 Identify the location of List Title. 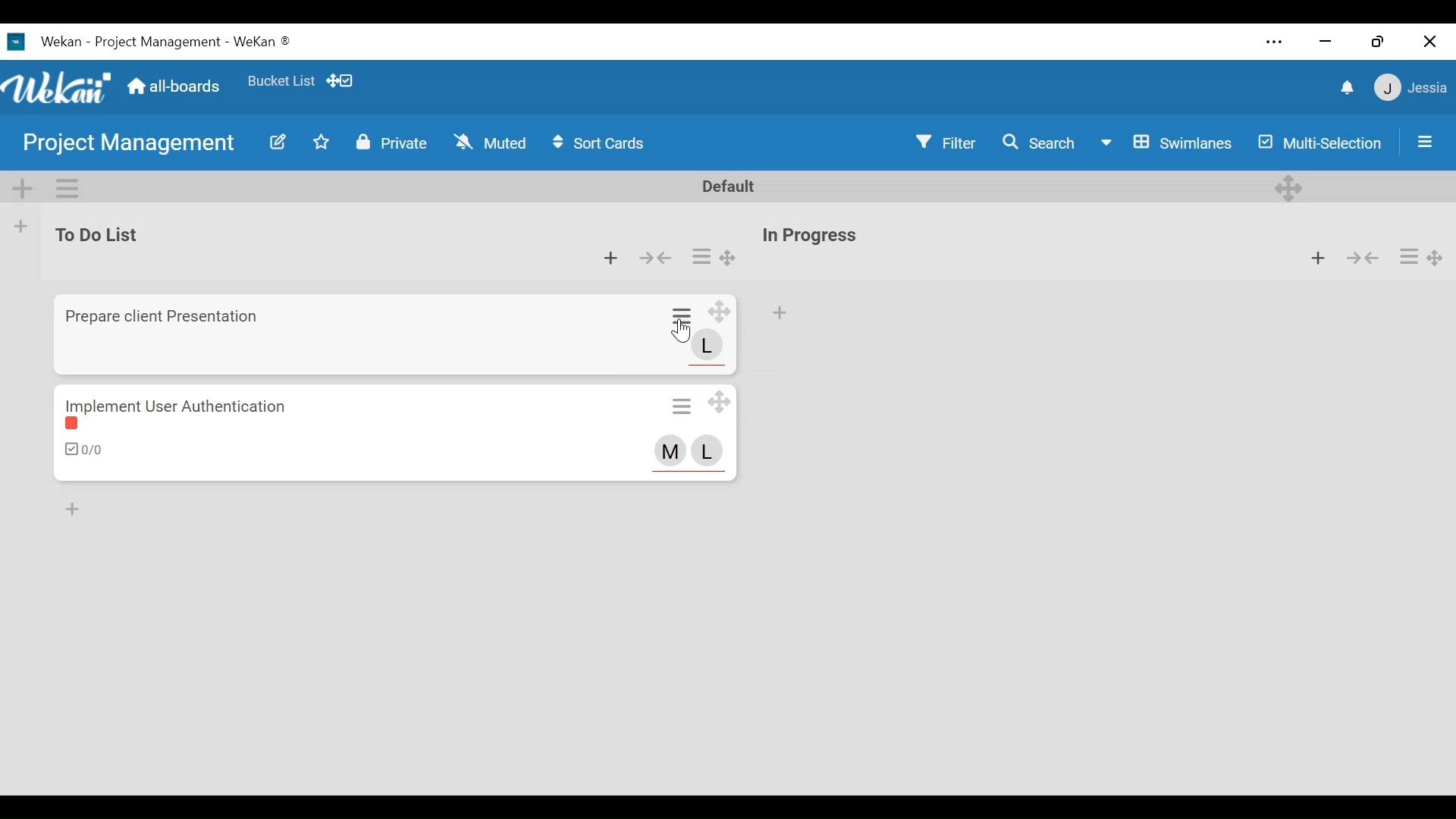
(811, 236).